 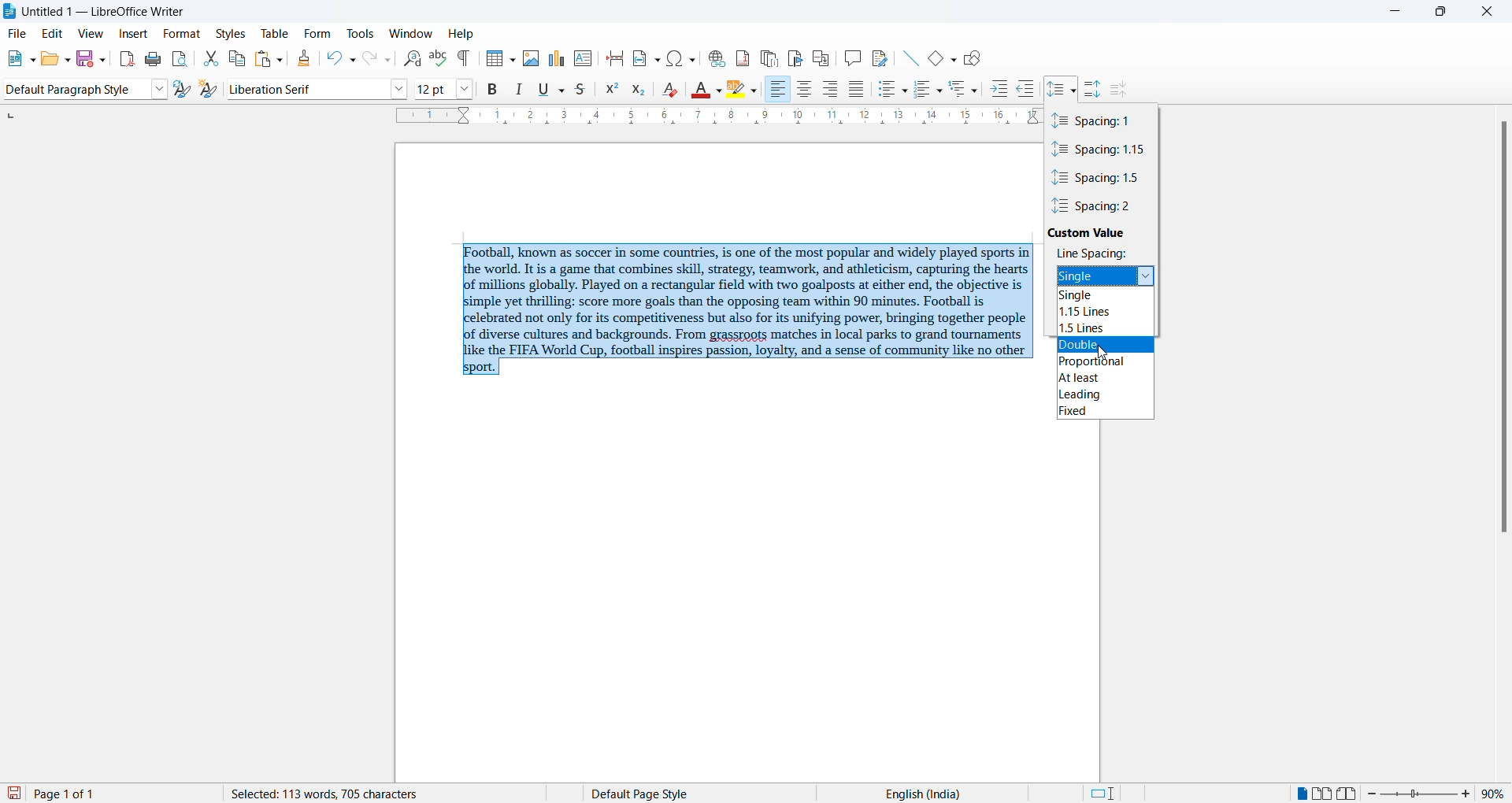 What do you see at coordinates (282, 58) in the screenshot?
I see `paste options` at bounding box center [282, 58].